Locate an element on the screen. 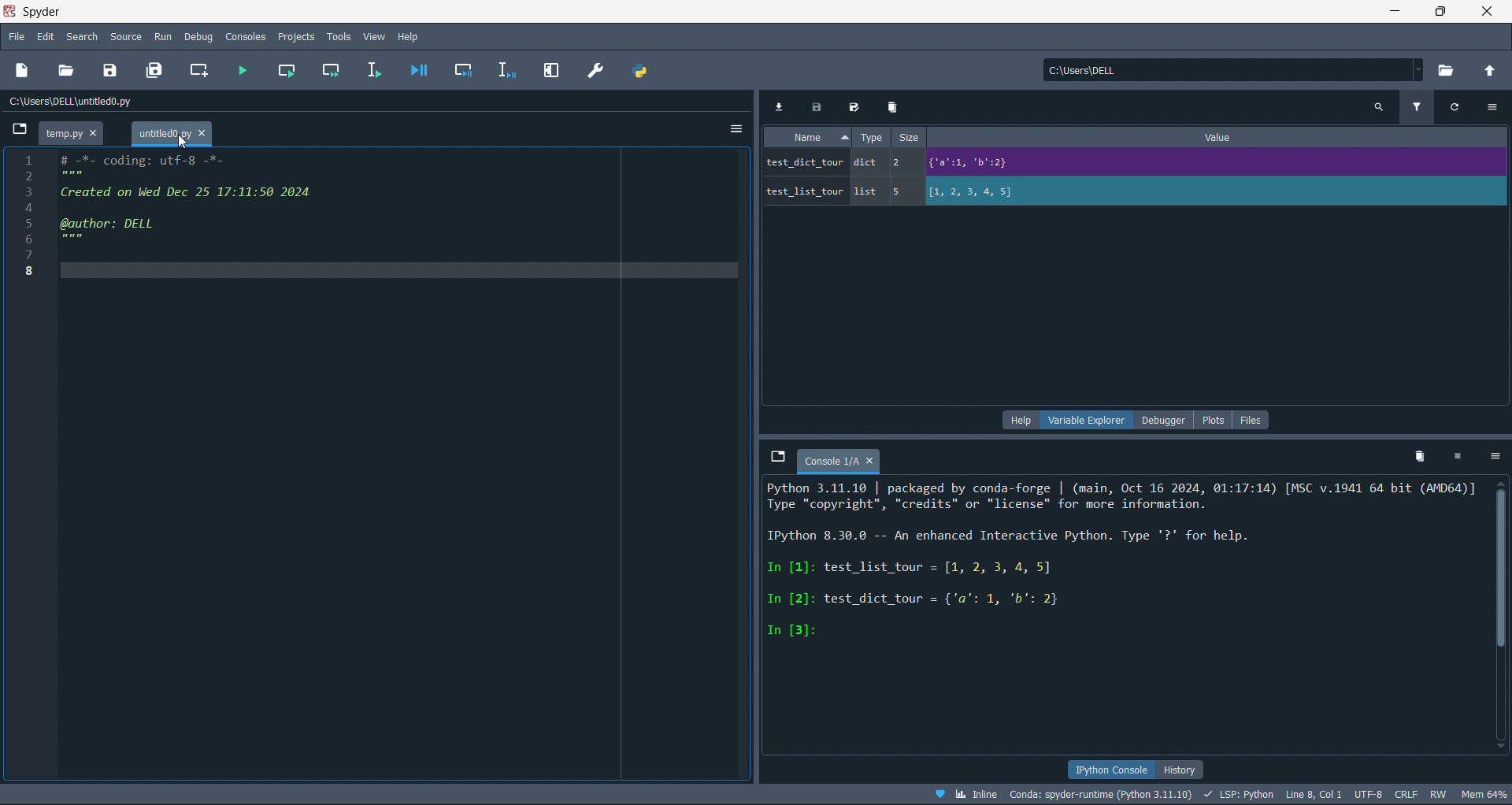 The width and height of the screenshot is (1512, 805). new file is located at coordinates (22, 72).